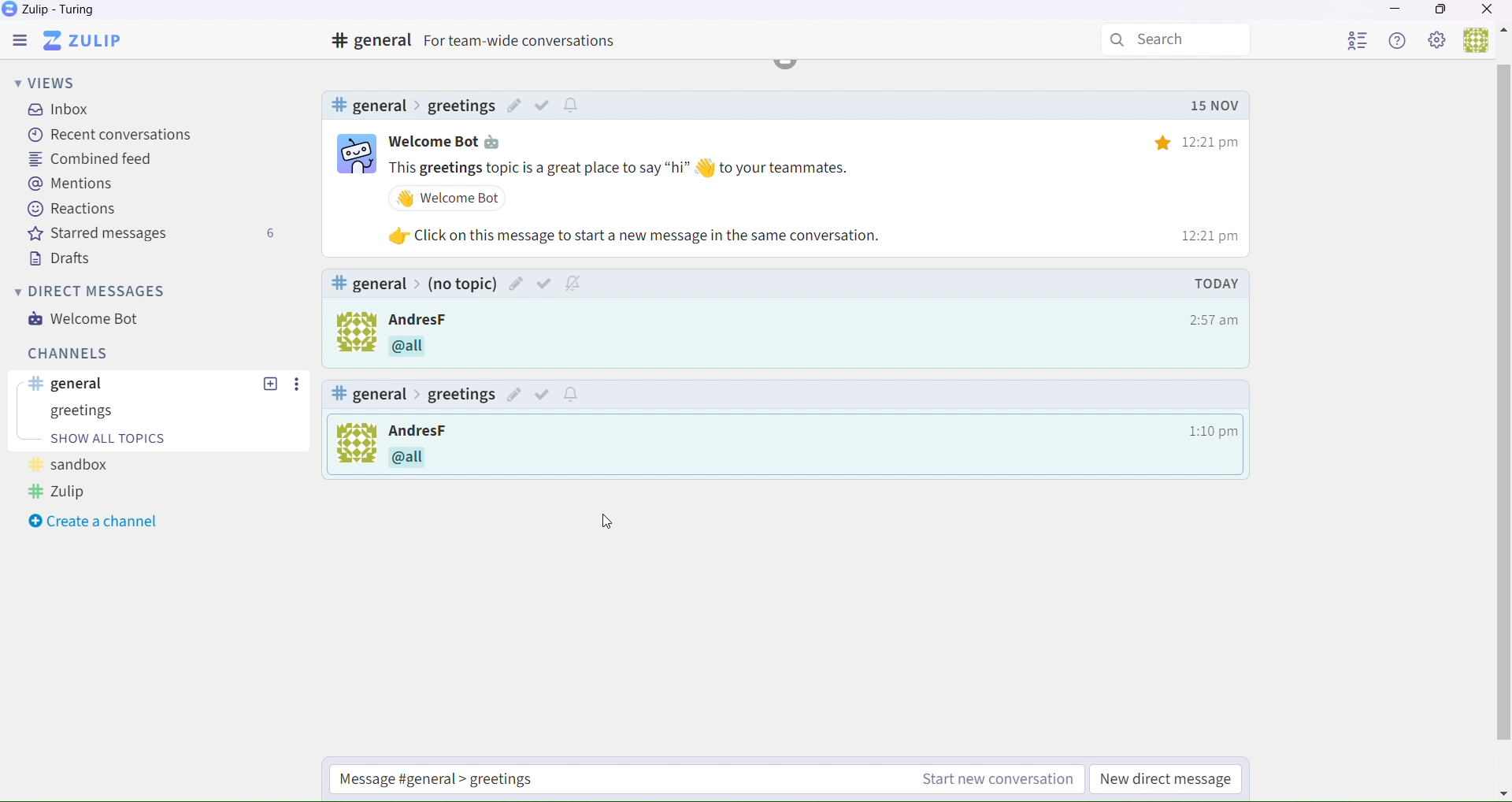 This screenshot has width=1512, height=802. What do you see at coordinates (73, 211) in the screenshot?
I see `Reactions` at bounding box center [73, 211].